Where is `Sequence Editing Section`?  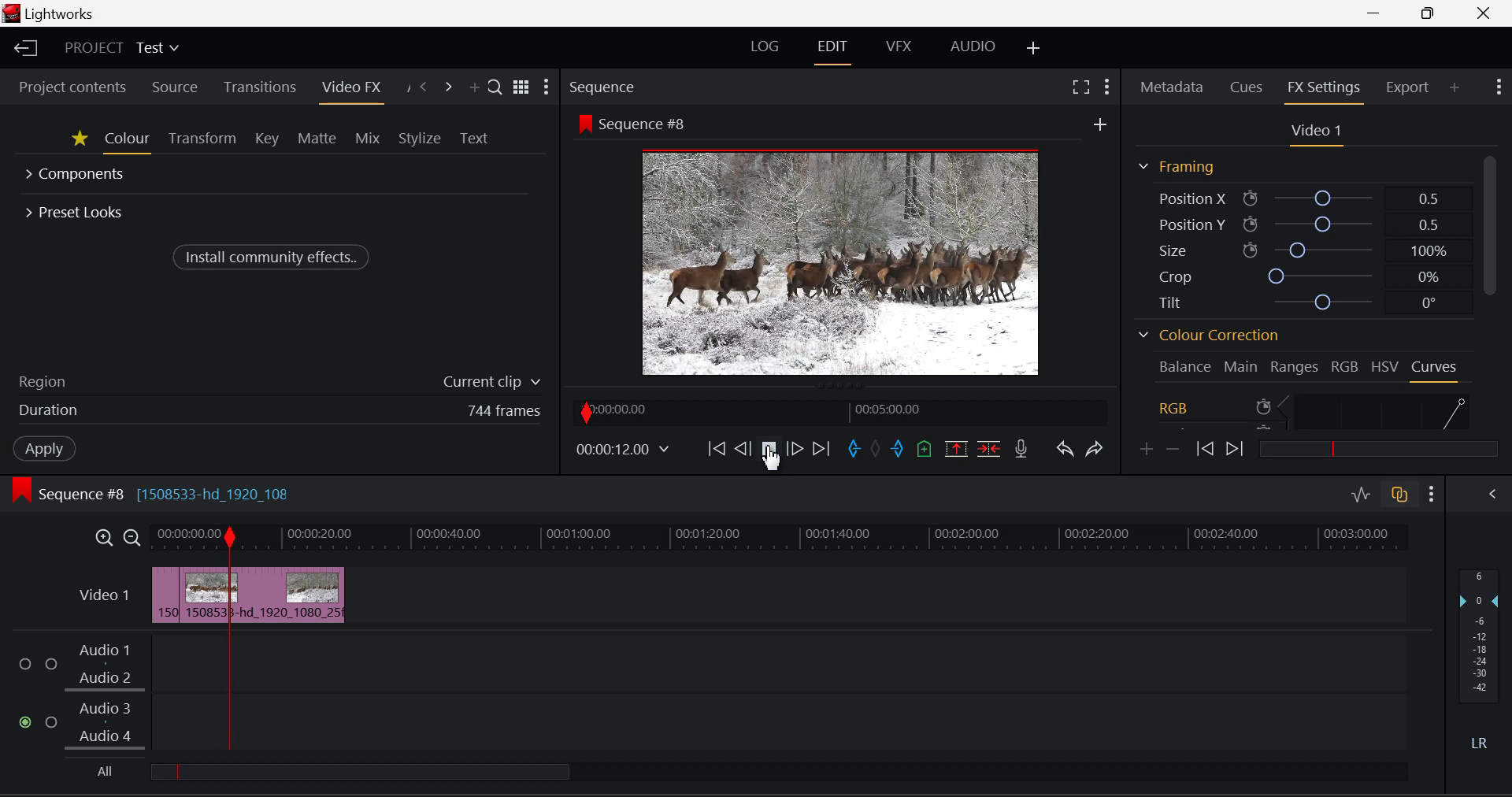 Sequence Editing Section is located at coordinates (154, 494).